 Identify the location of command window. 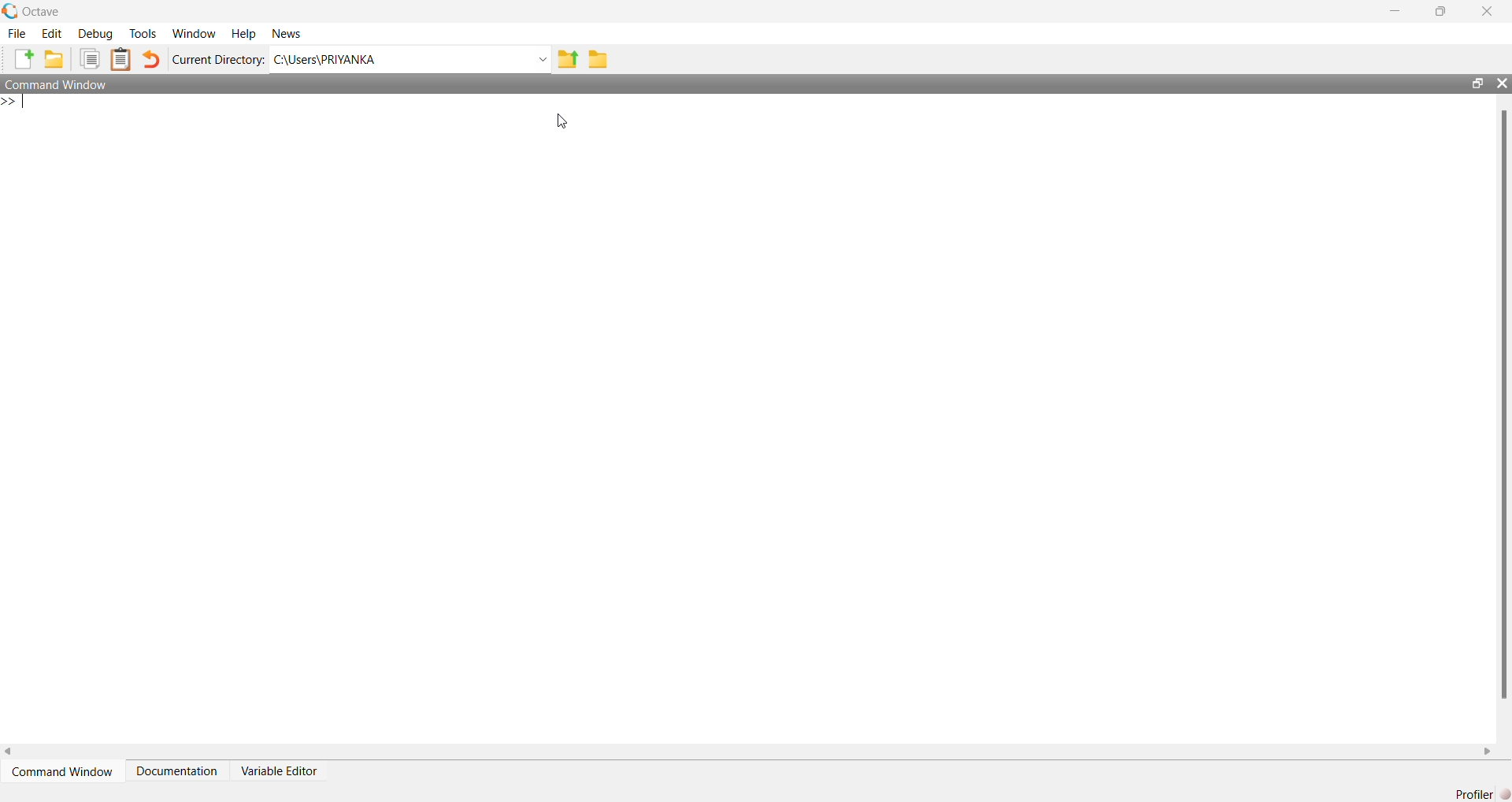
(60, 774).